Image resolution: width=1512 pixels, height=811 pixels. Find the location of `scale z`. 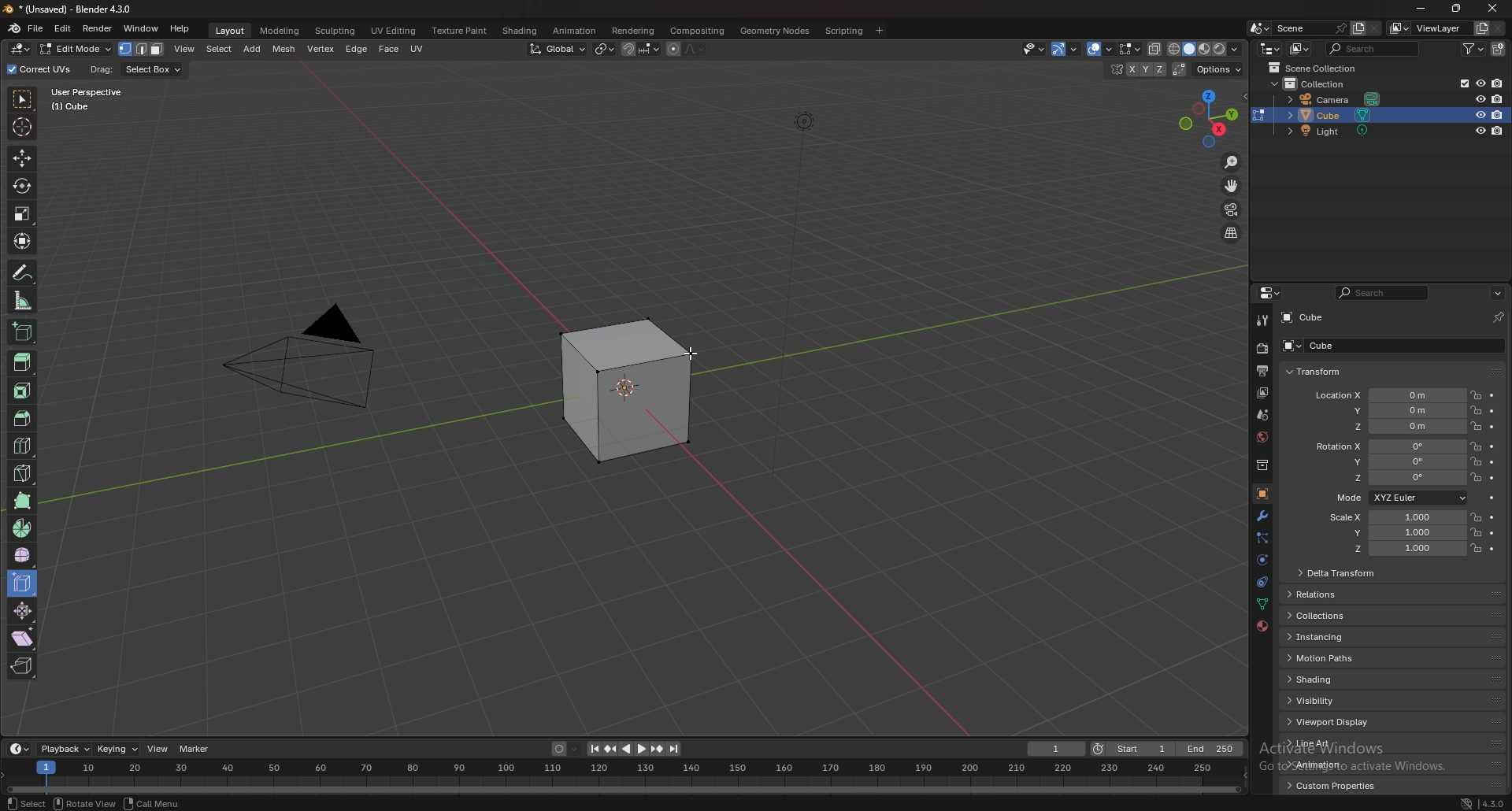

scale z is located at coordinates (1399, 550).